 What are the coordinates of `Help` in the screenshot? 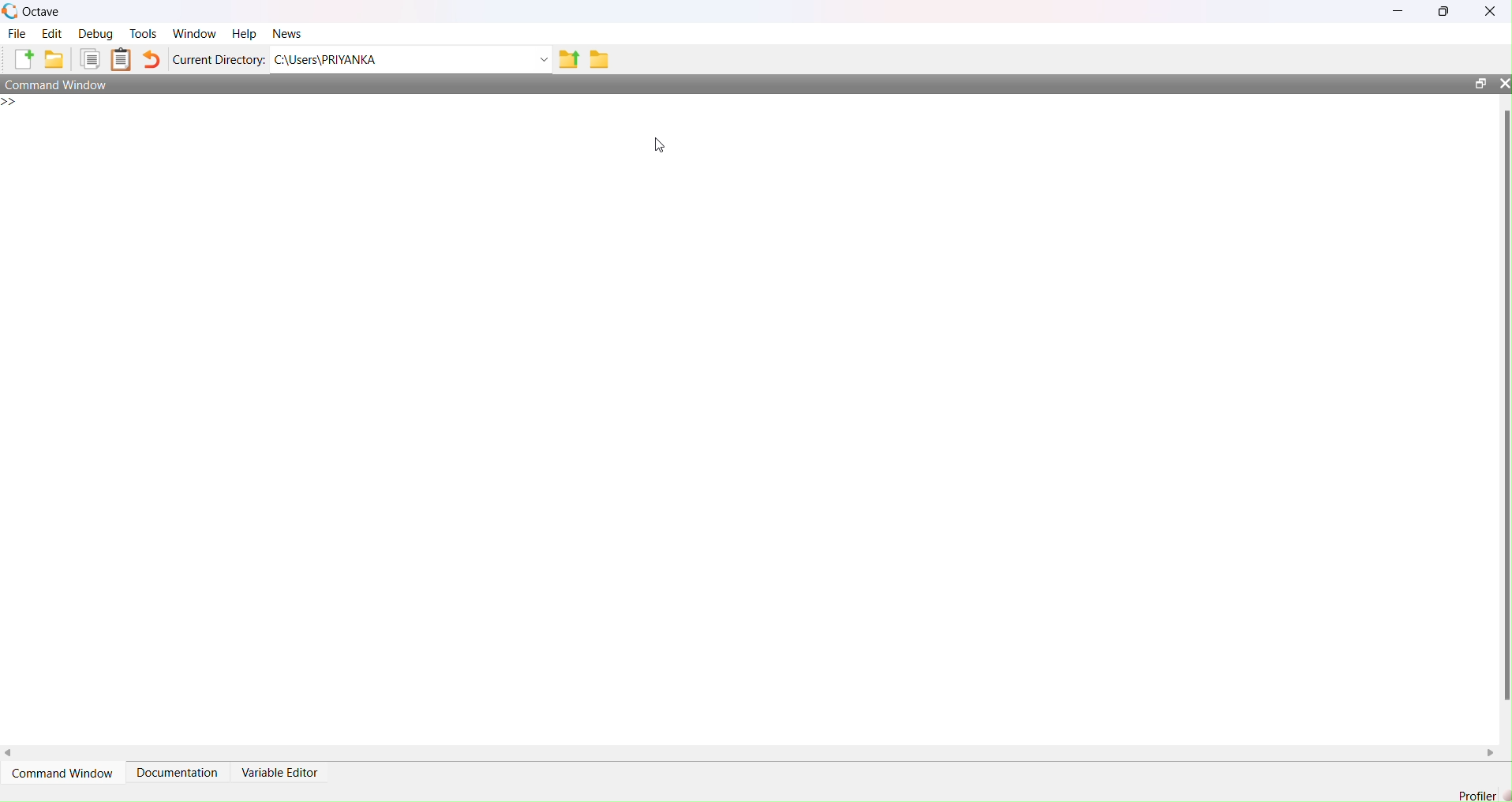 It's located at (246, 32).